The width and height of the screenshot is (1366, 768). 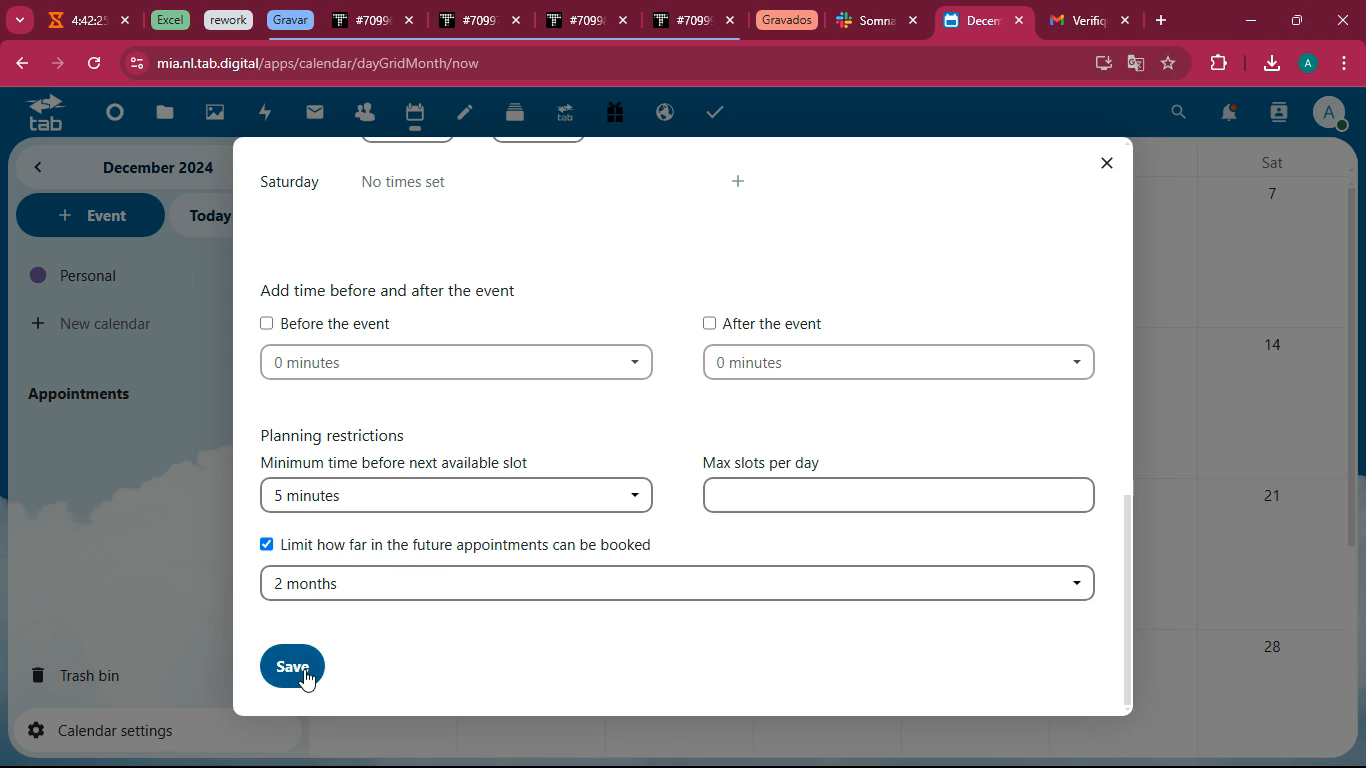 What do you see at coordinates (394, 288) in the screenshot?
I see `add time before and after event` at bounding box center [394, 288].